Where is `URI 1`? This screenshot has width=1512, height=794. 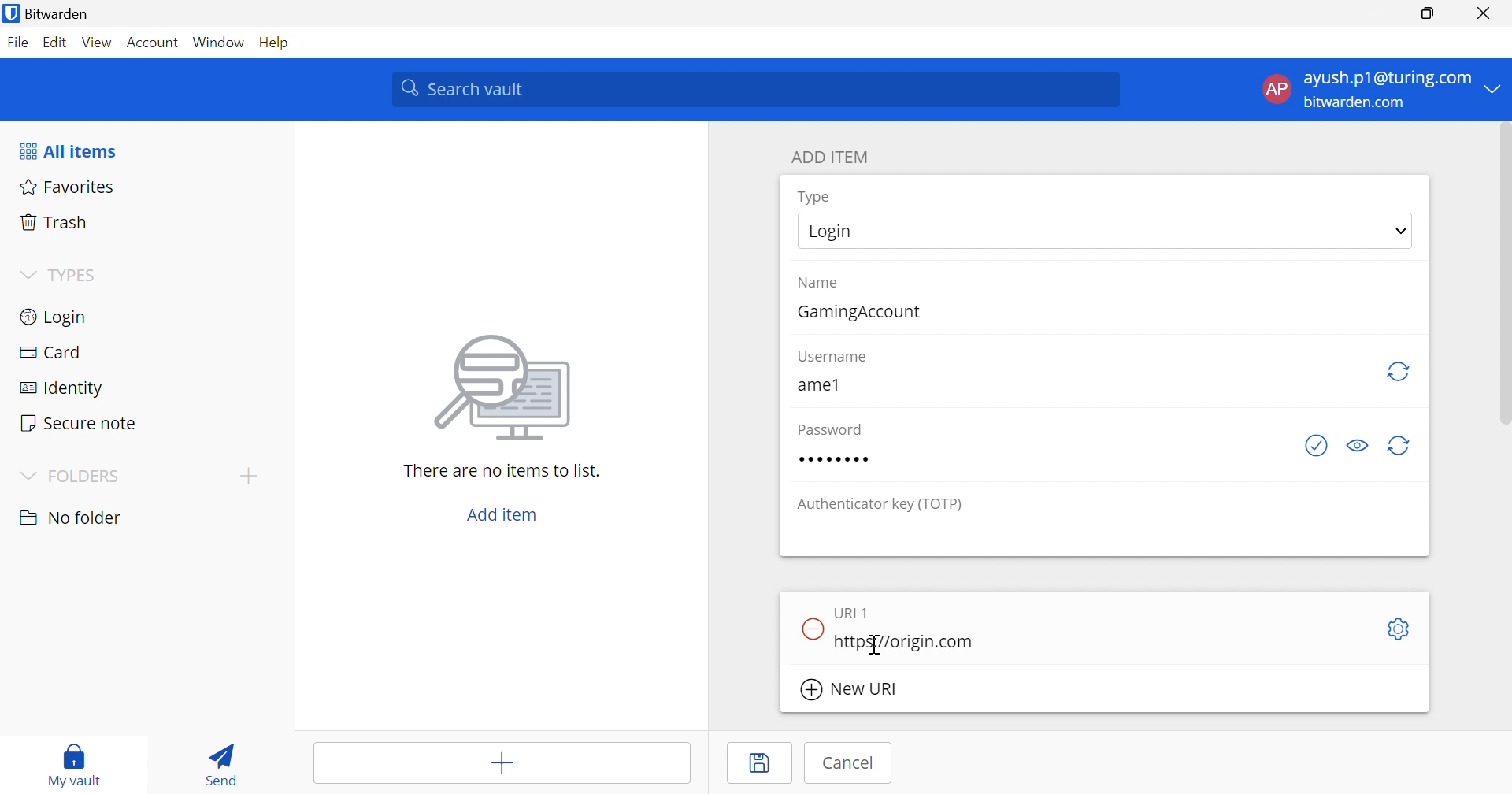 URI 1 is located at coordinates (858, 612).